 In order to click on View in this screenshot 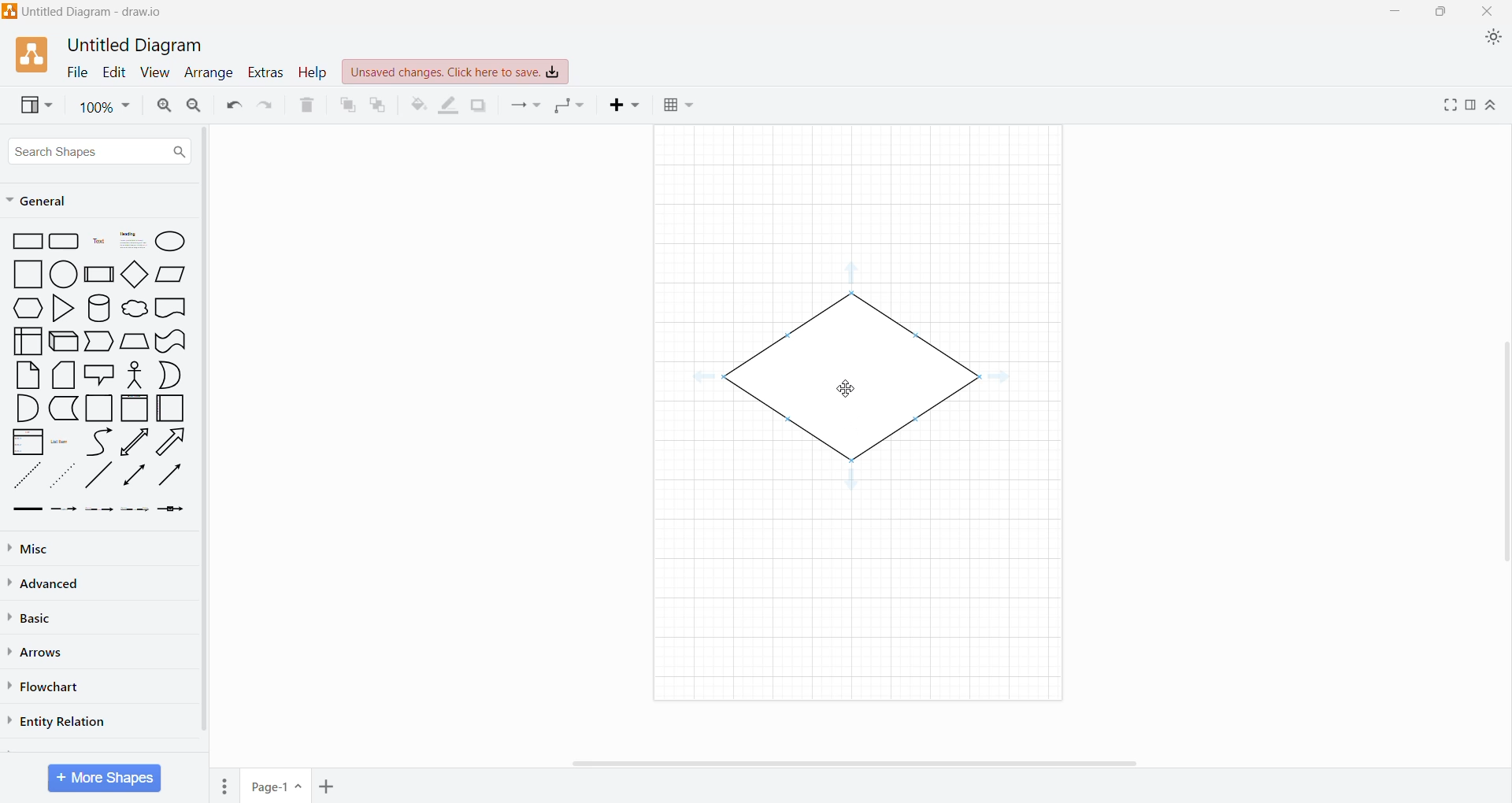, I will do `click(154, 73)`.